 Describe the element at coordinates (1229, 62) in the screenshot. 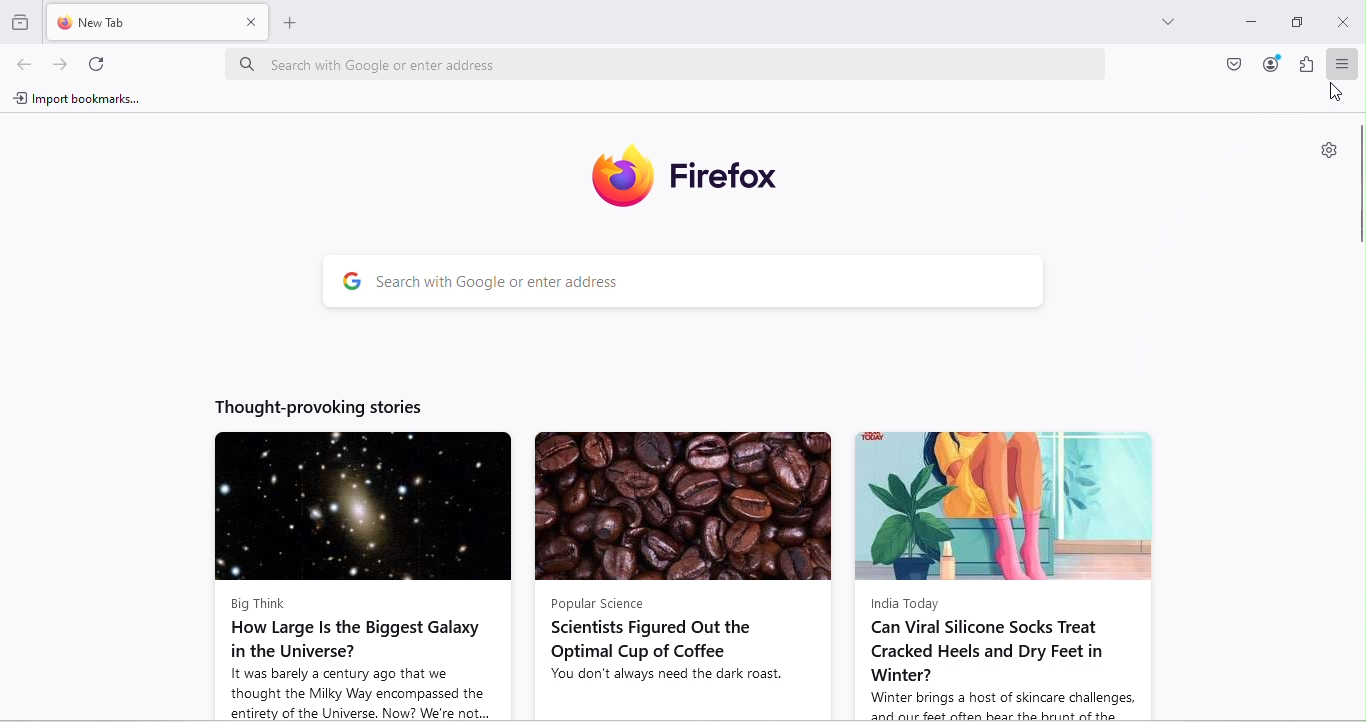

I see `Save to pocket` at that location.